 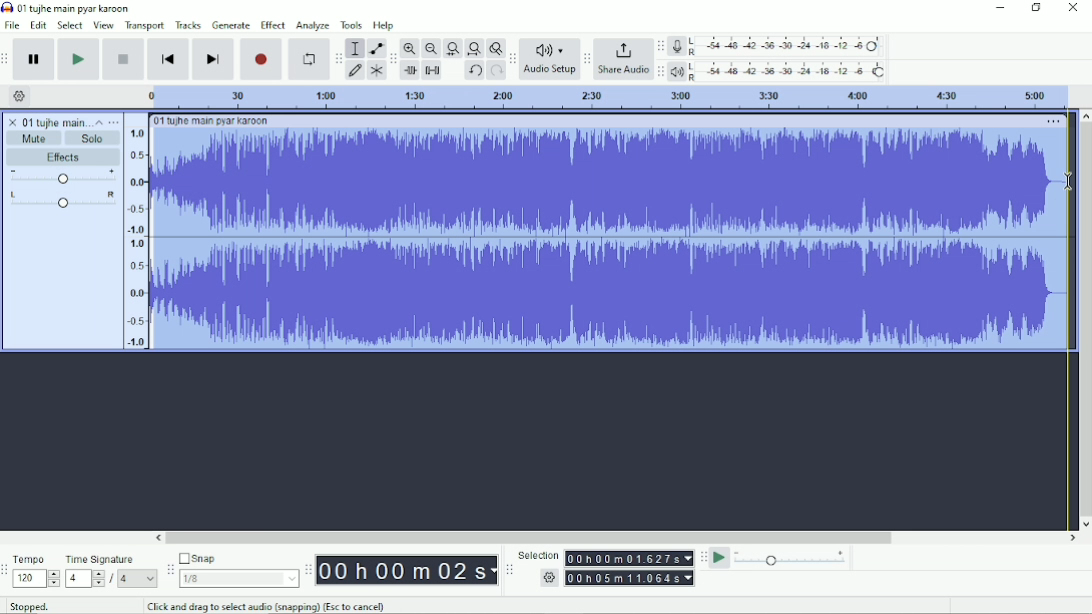 What do you see at coordinates (1069, 183) in the screenshot?
I see `Cursor` at bounding box center [1069, 183].